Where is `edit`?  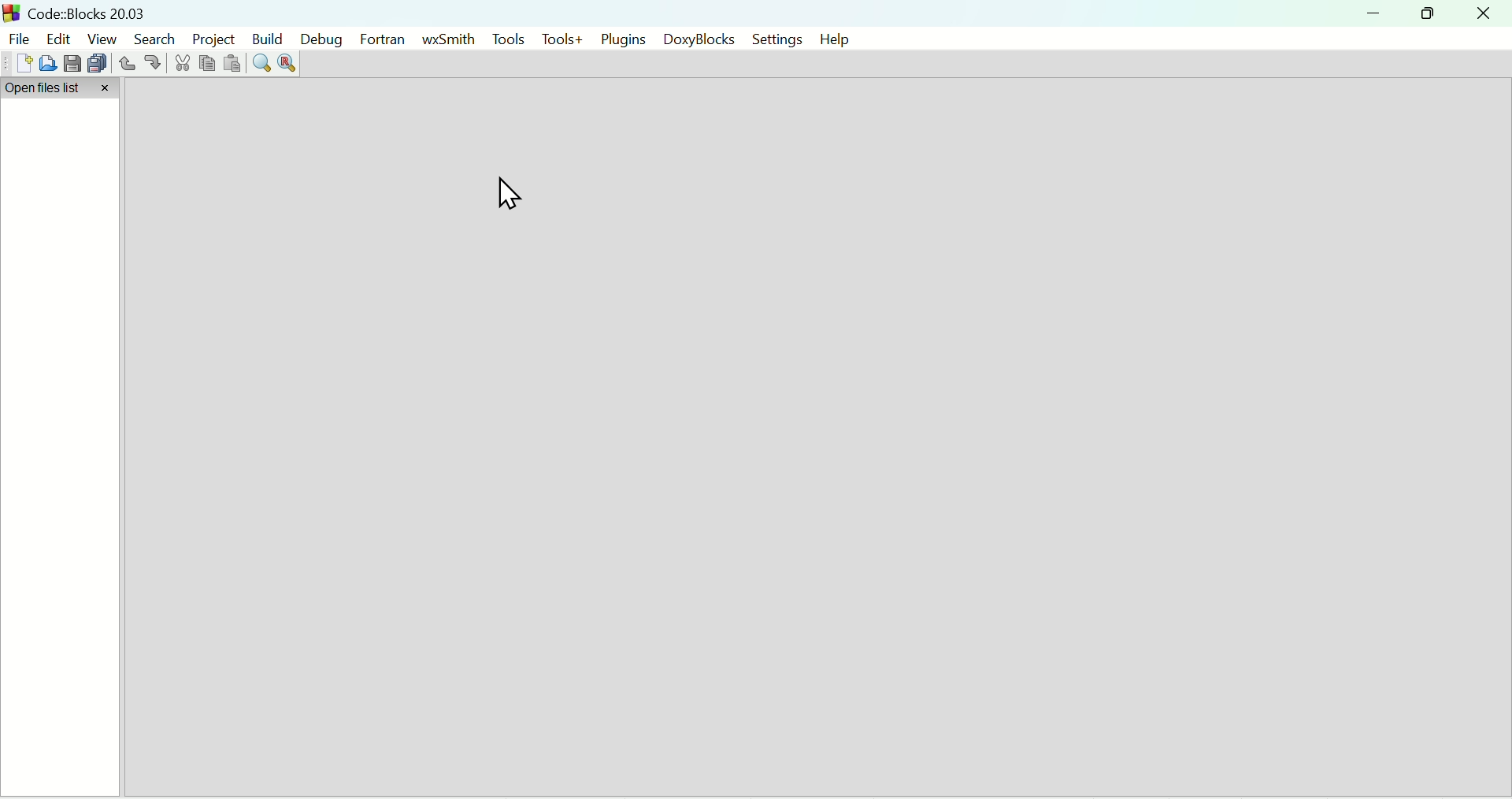
edit is located at coordinates (57, 36).